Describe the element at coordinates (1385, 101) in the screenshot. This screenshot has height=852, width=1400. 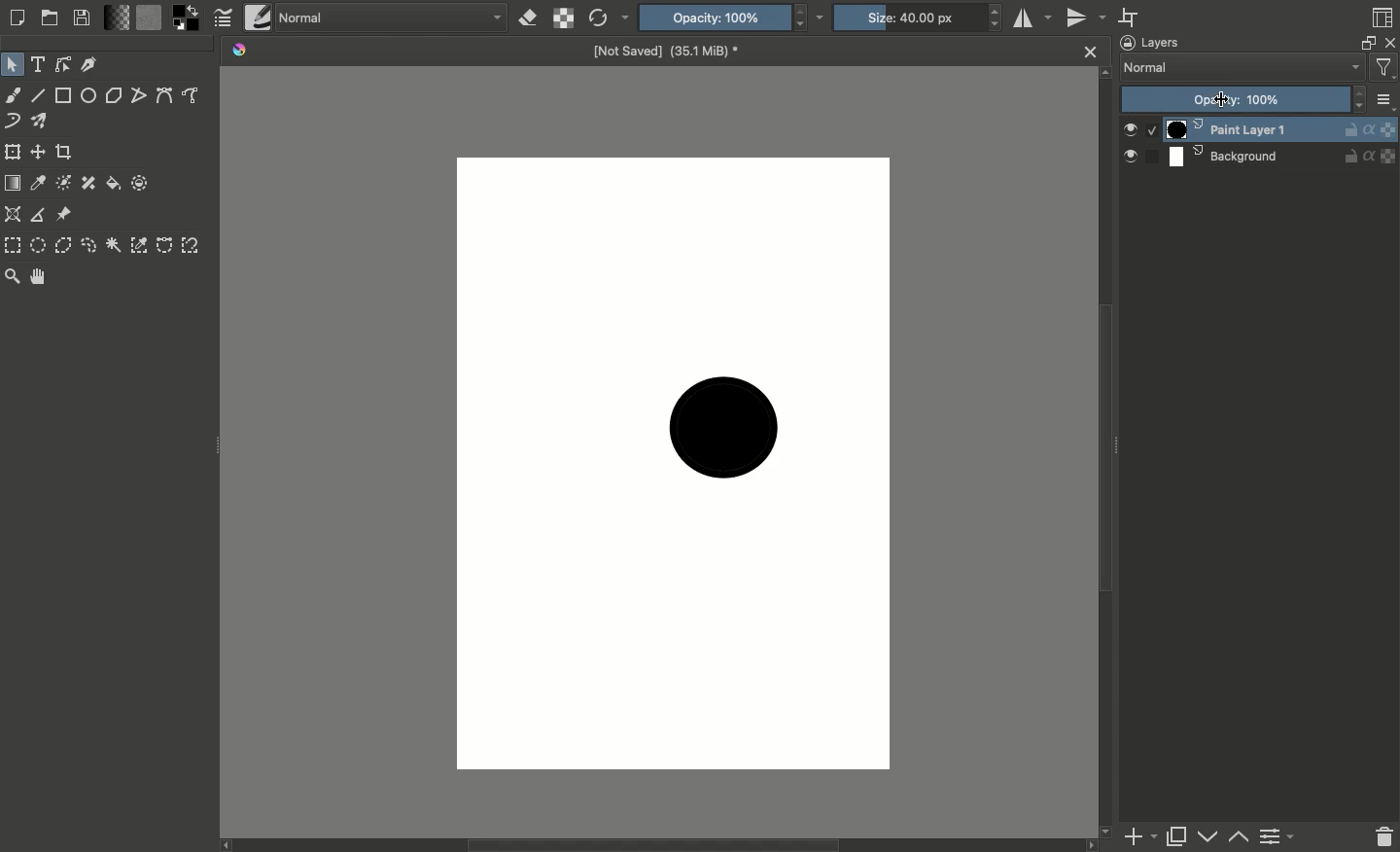
I see `more` at that location.